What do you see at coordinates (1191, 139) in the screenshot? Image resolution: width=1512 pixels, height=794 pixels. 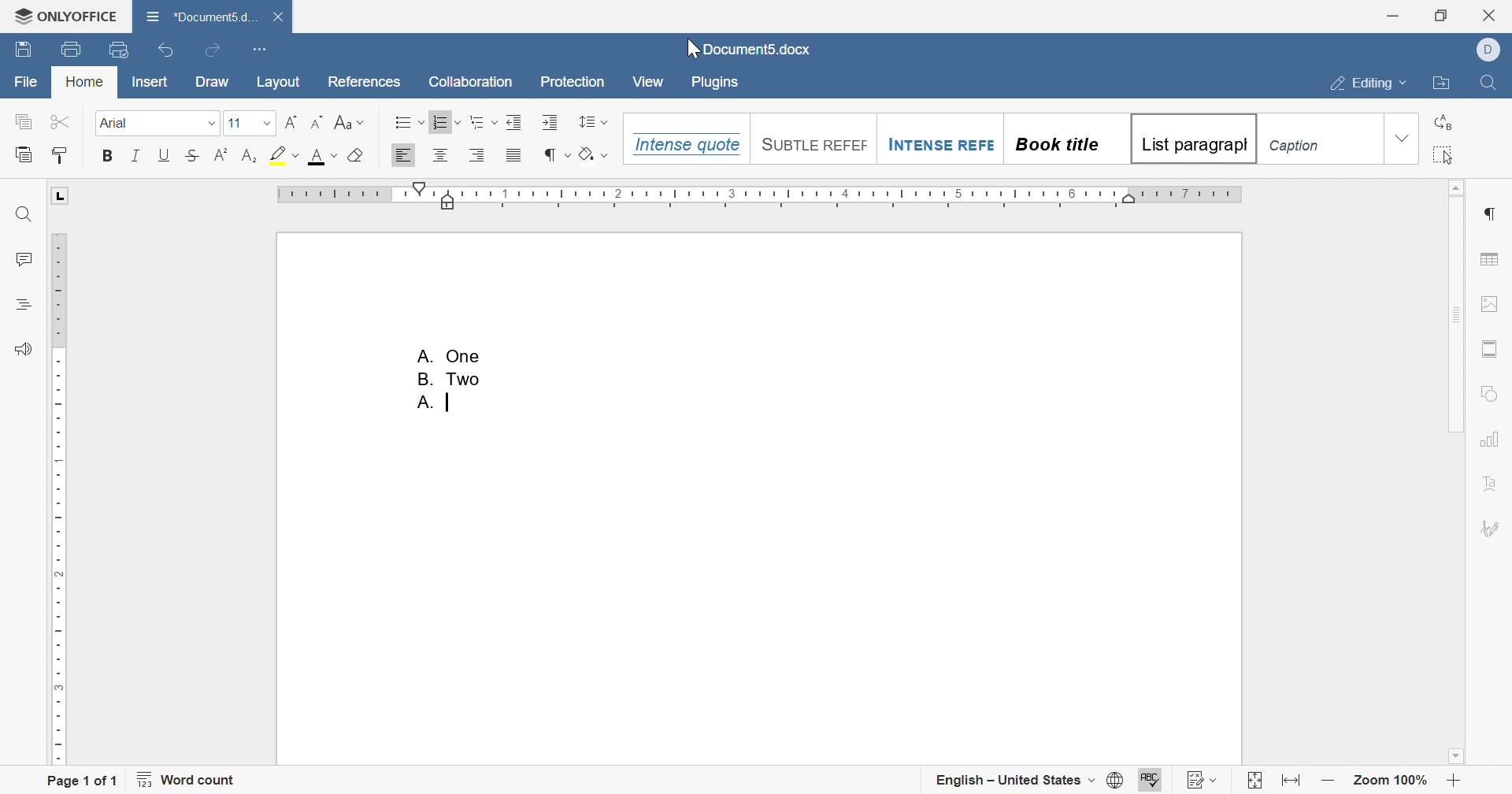 I see `List paragrapgh` at bounding box center [1191, 139].